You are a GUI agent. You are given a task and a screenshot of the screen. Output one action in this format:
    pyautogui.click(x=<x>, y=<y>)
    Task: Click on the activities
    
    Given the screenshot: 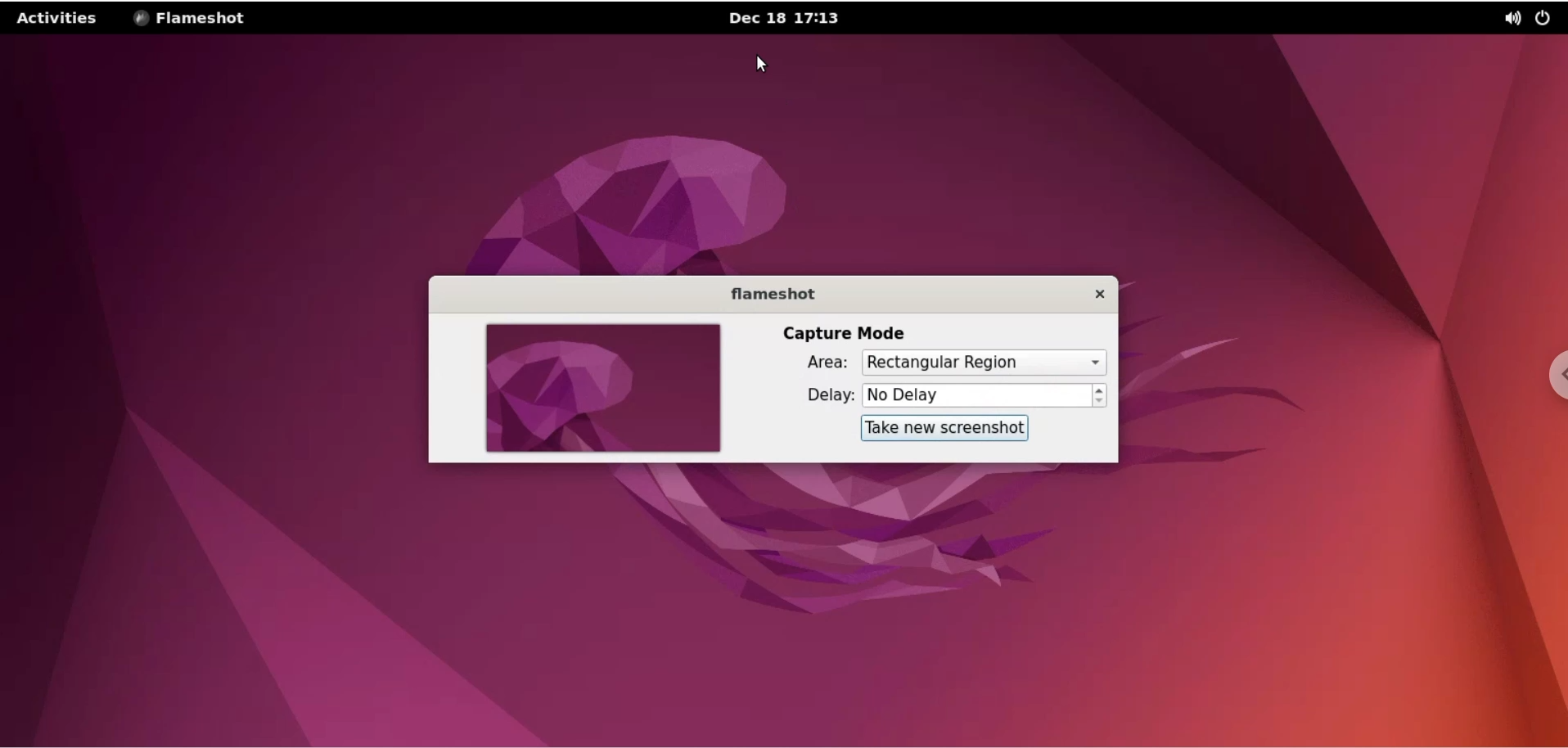 What is the action you would take?
    pyautogui.click(x=60, y=20)
    